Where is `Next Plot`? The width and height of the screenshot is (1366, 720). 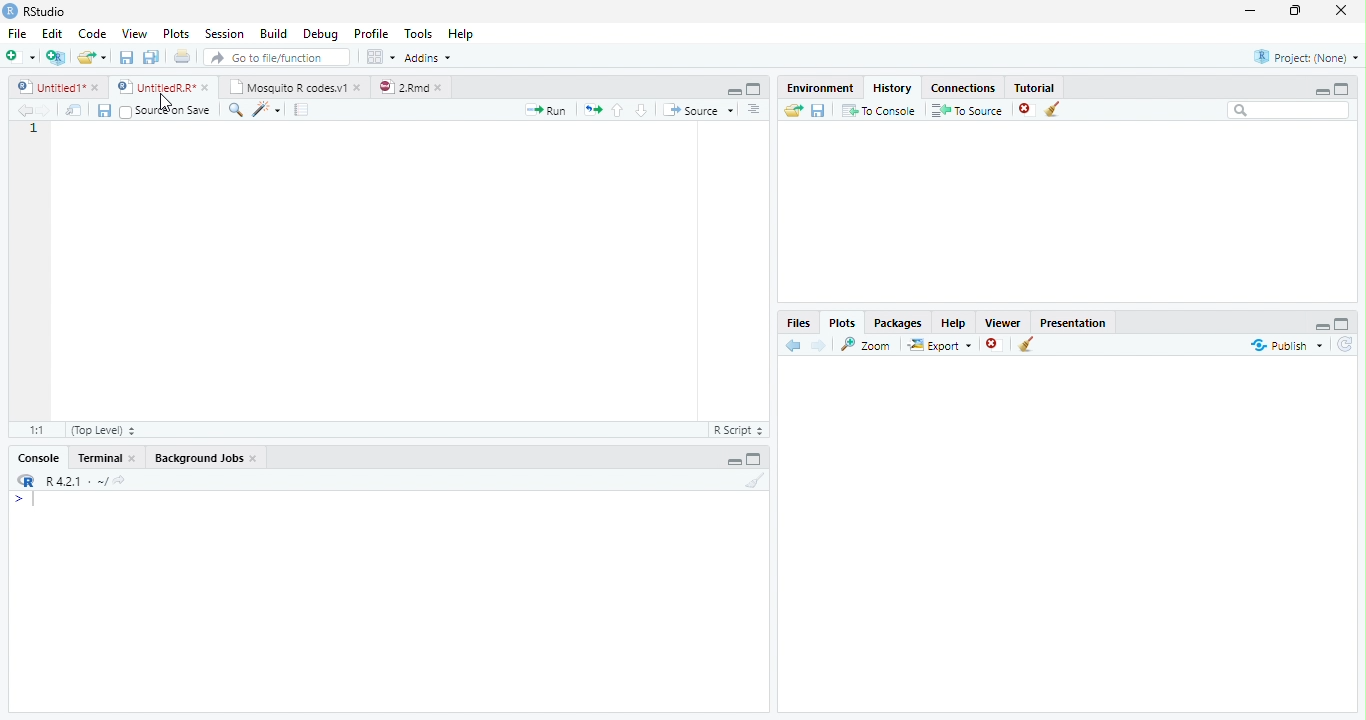 Next Plot is located at coordinates (820, 345).